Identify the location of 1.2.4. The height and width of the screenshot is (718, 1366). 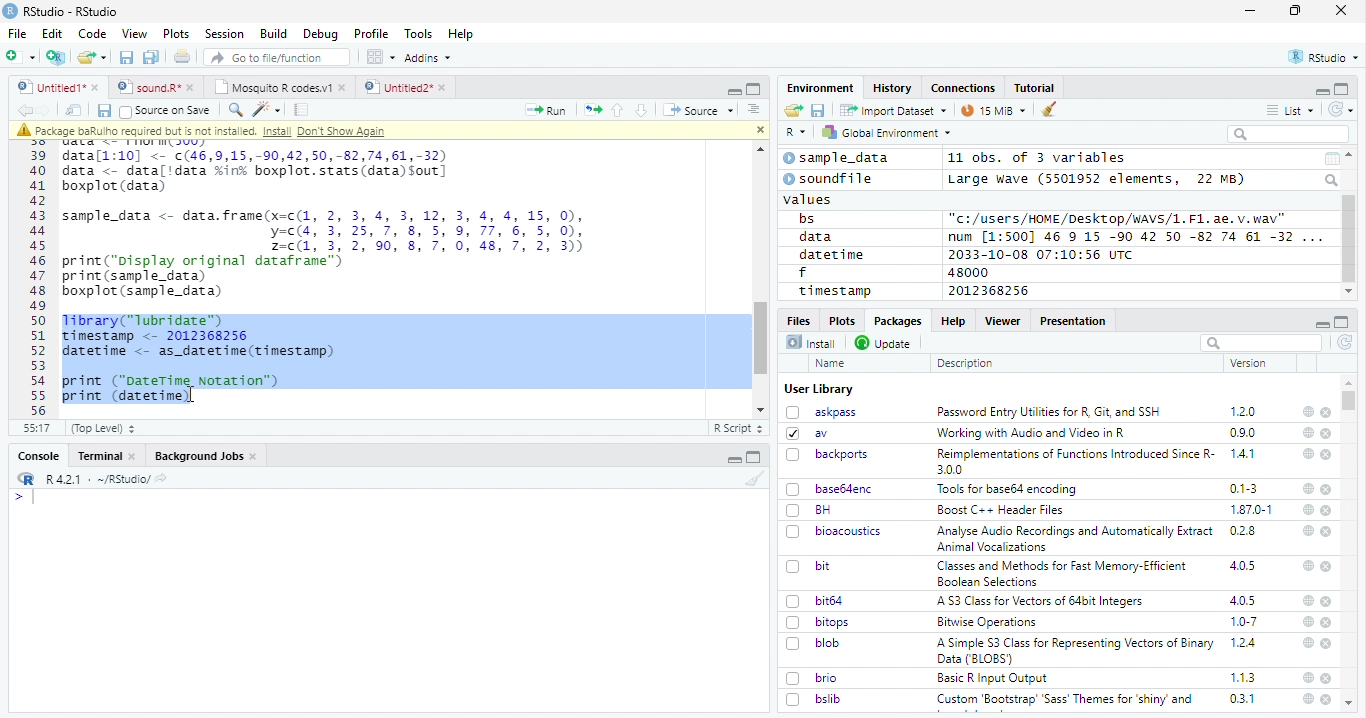
(1245, 642).